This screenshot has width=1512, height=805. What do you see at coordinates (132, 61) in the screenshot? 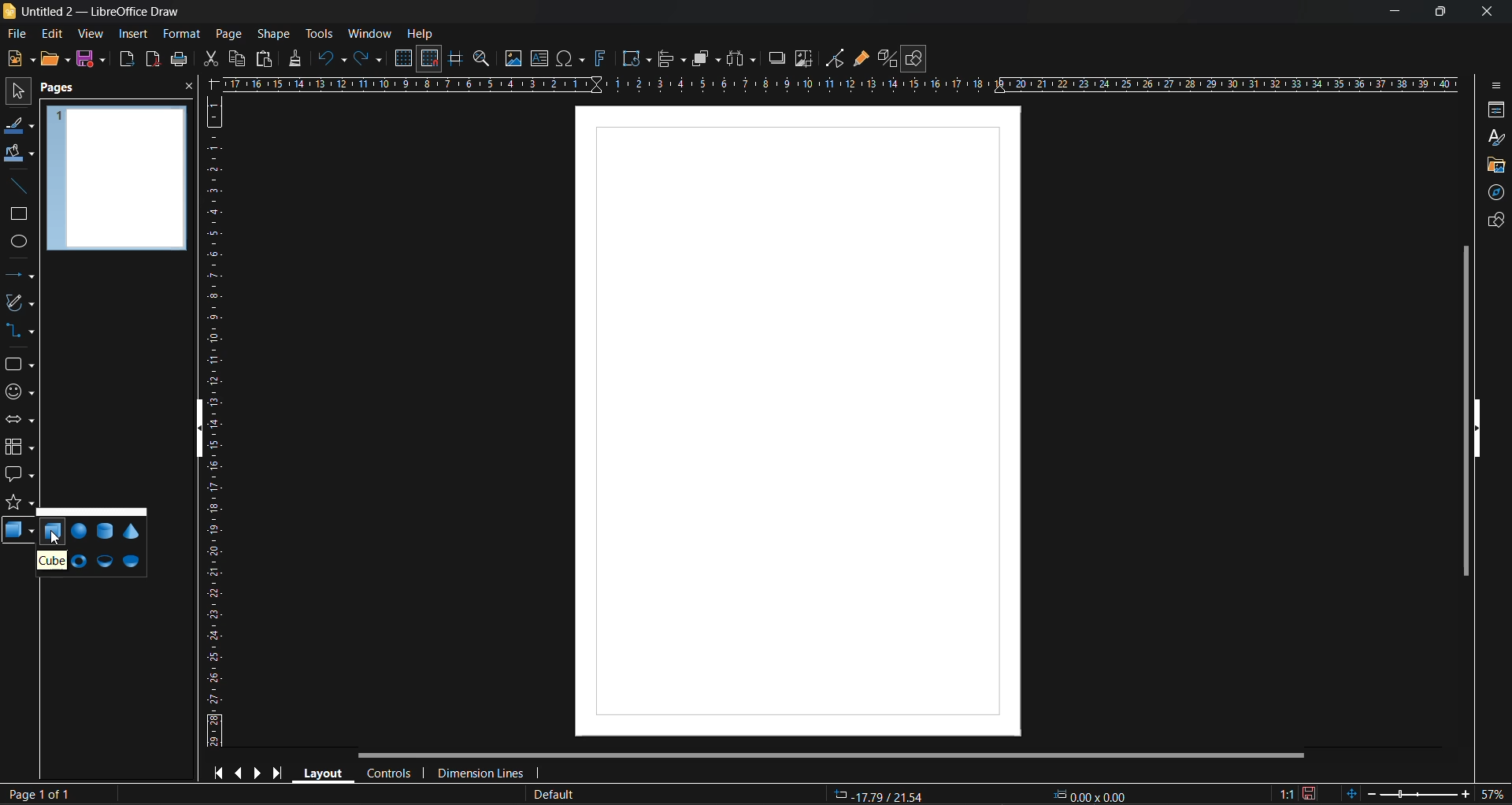
I see `export` at bounding box center [132, 61].